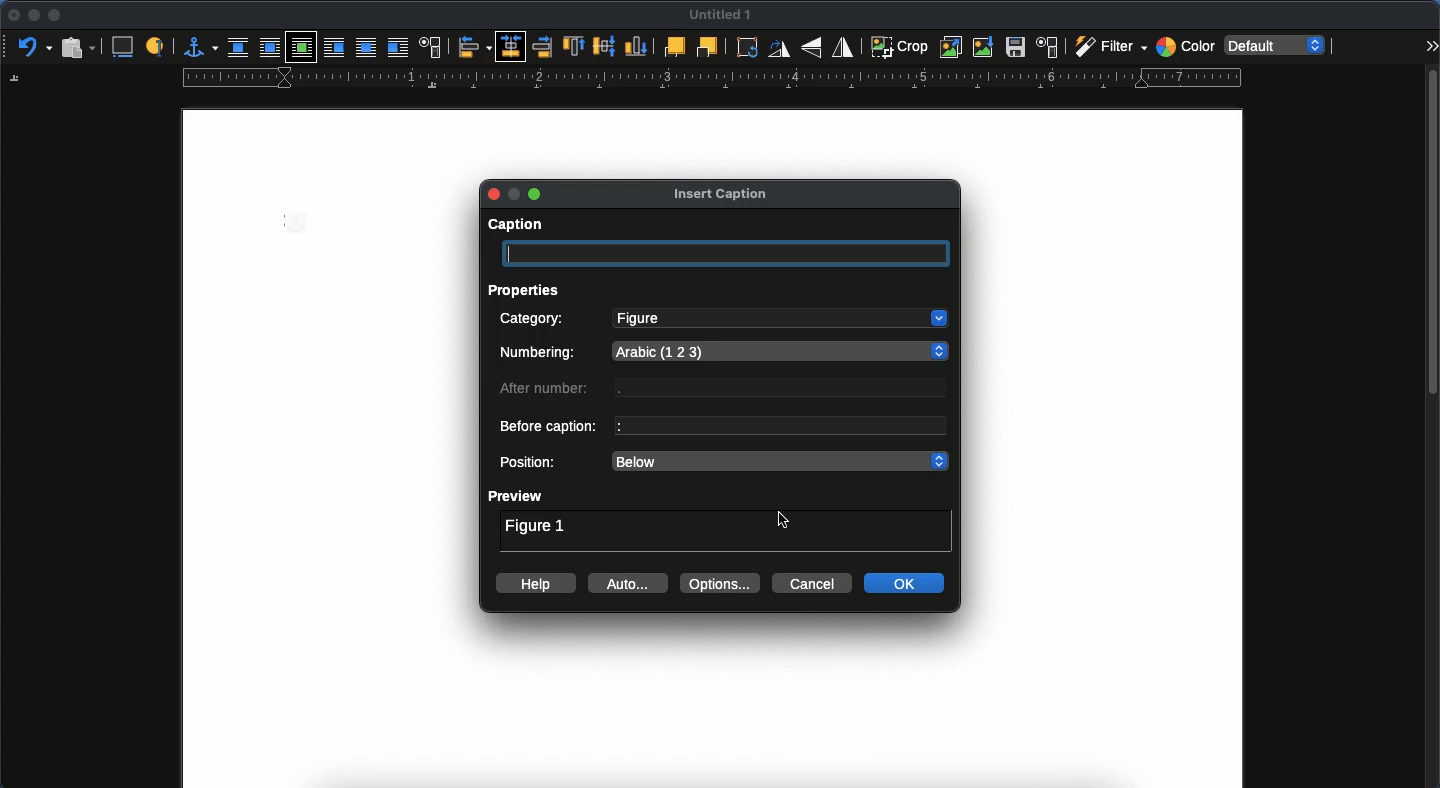 Image resolution: width=1440 pixels, height=788 pixels. I want to click on label to identify an object , so click(157, 45).